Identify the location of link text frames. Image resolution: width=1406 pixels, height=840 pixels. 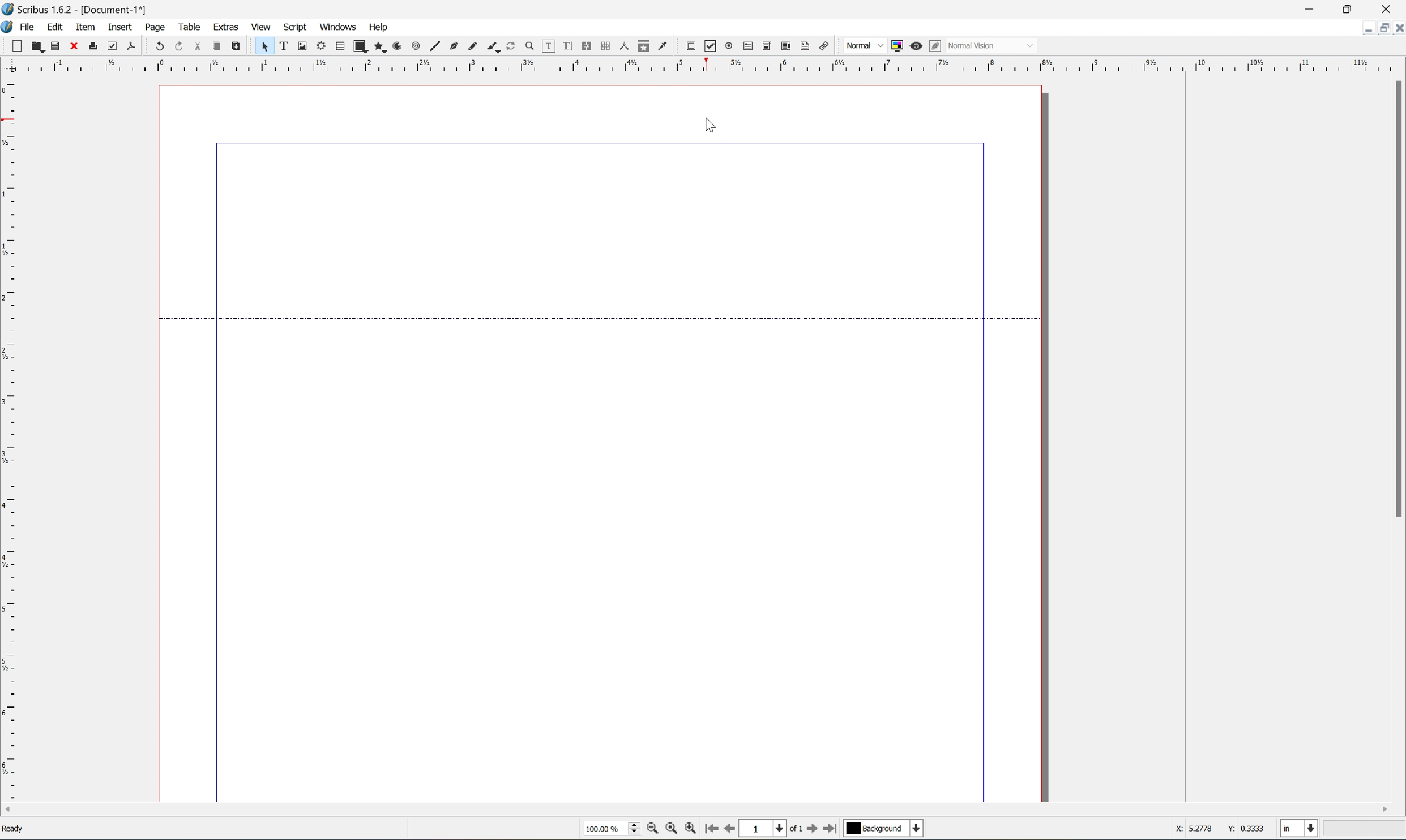
(588, 48).